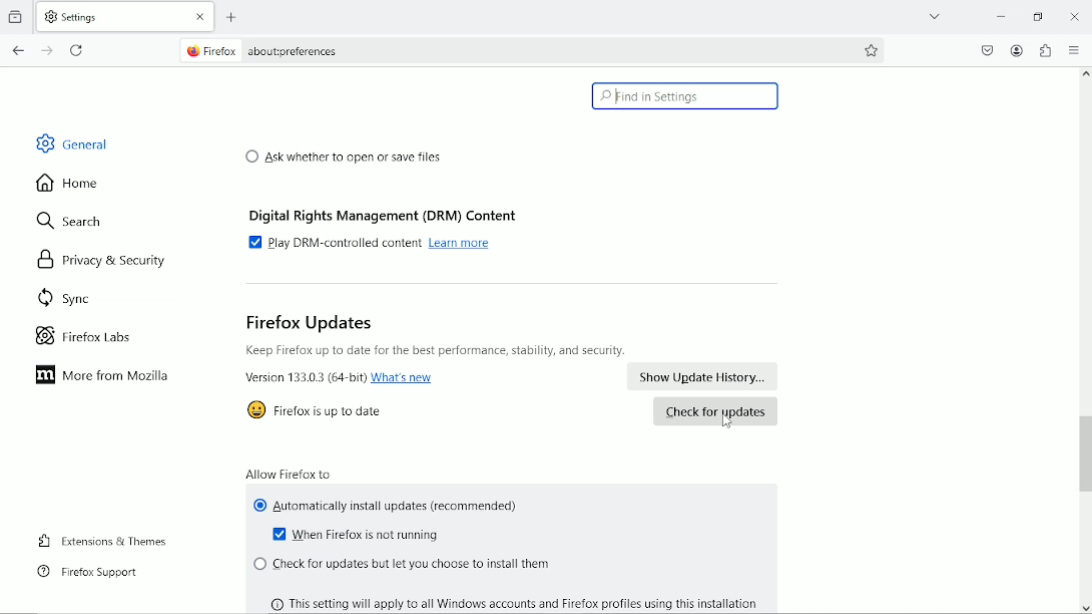 This screenshot has width=1092, height=614. I want to click on Close, so click(1072, 16).